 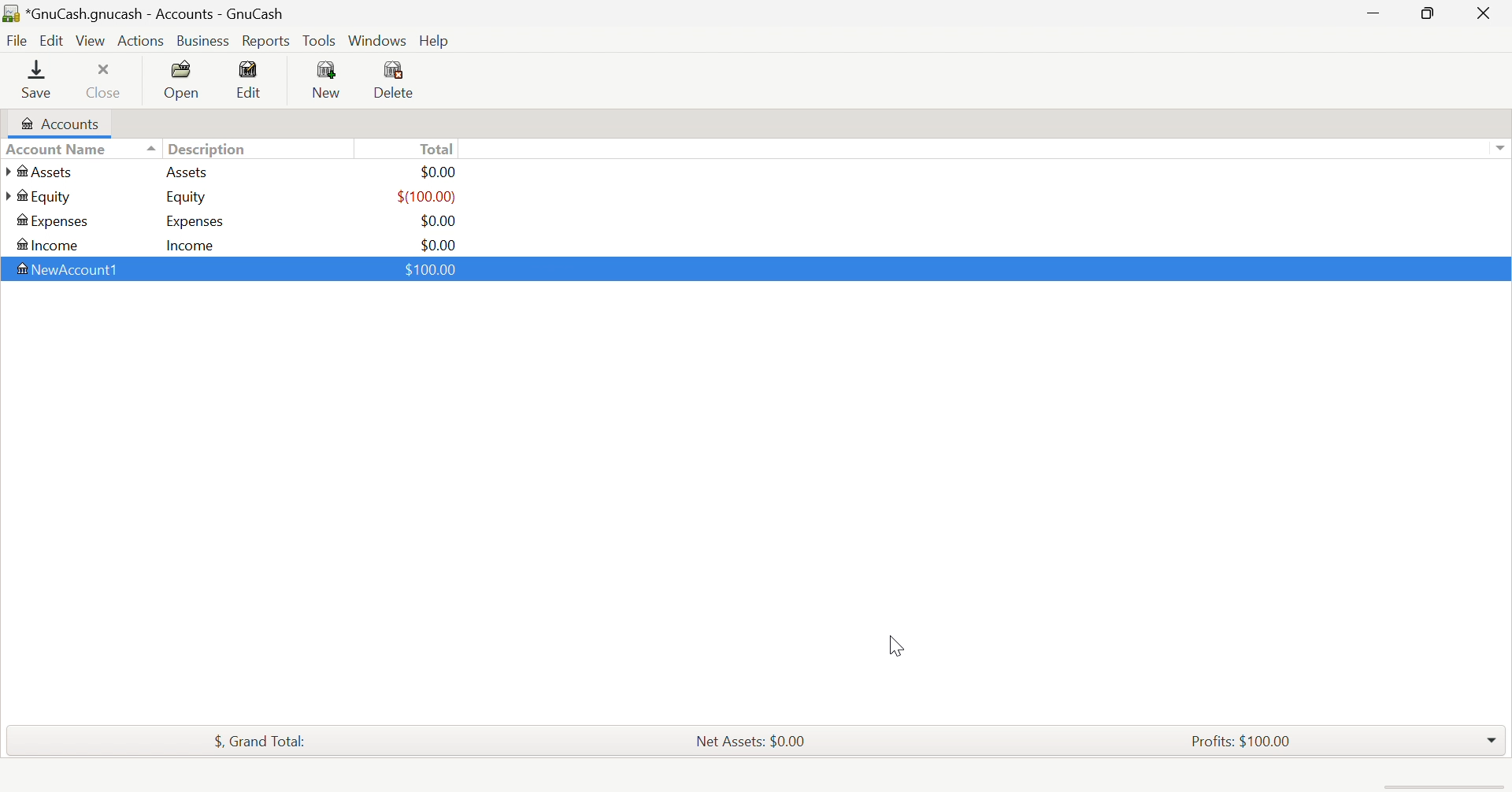 What do you see at coordinates (1240, 739) in the screenshot?
I see `Profits: $0.00` at bounding box center [1240, 739].